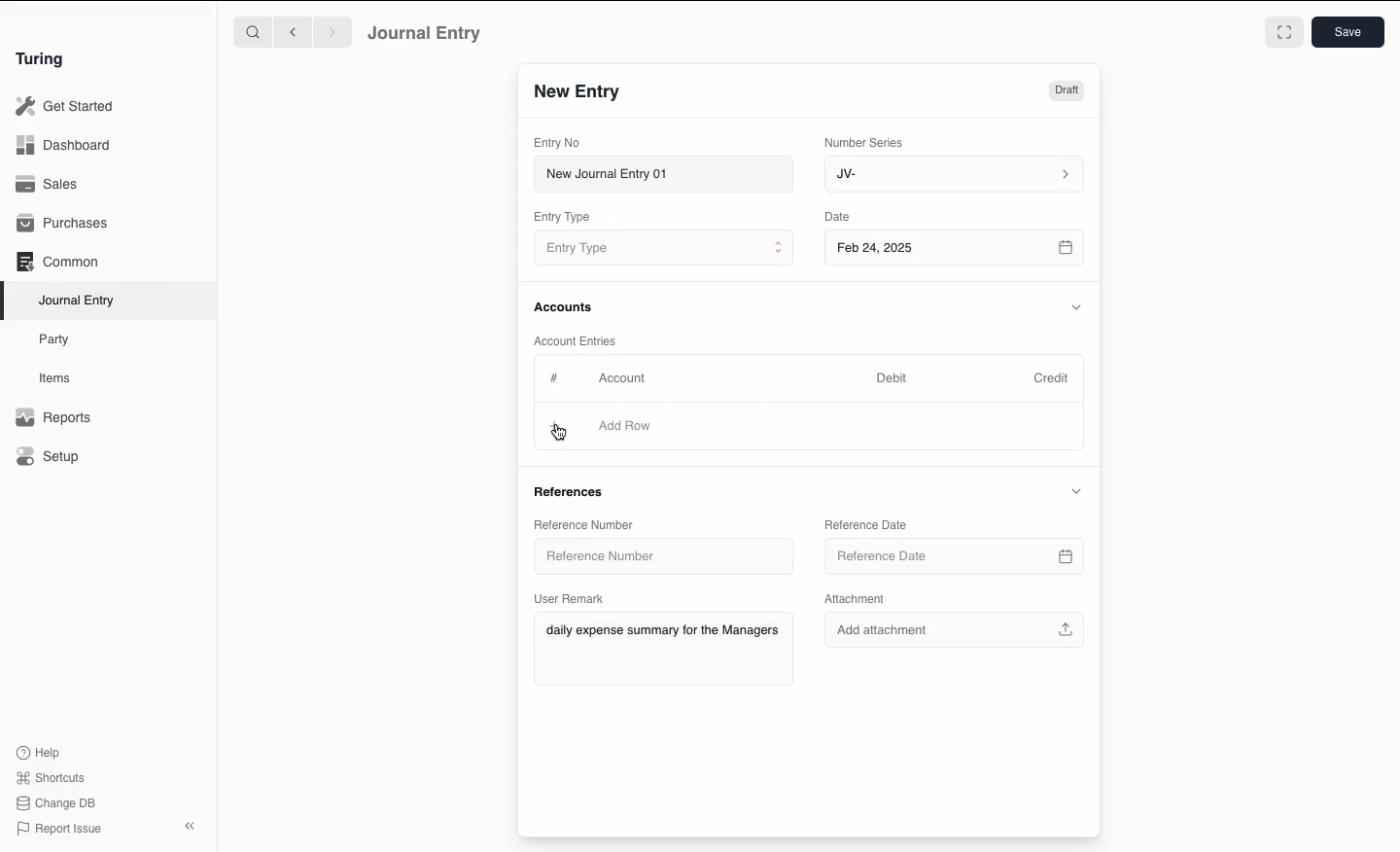 The height and width of the screenshot is (852, 1400). What do you see at coordinates (957, 250) in the screenshot?
I see `Feb 24, 2025` at bounding box center [957, 250].